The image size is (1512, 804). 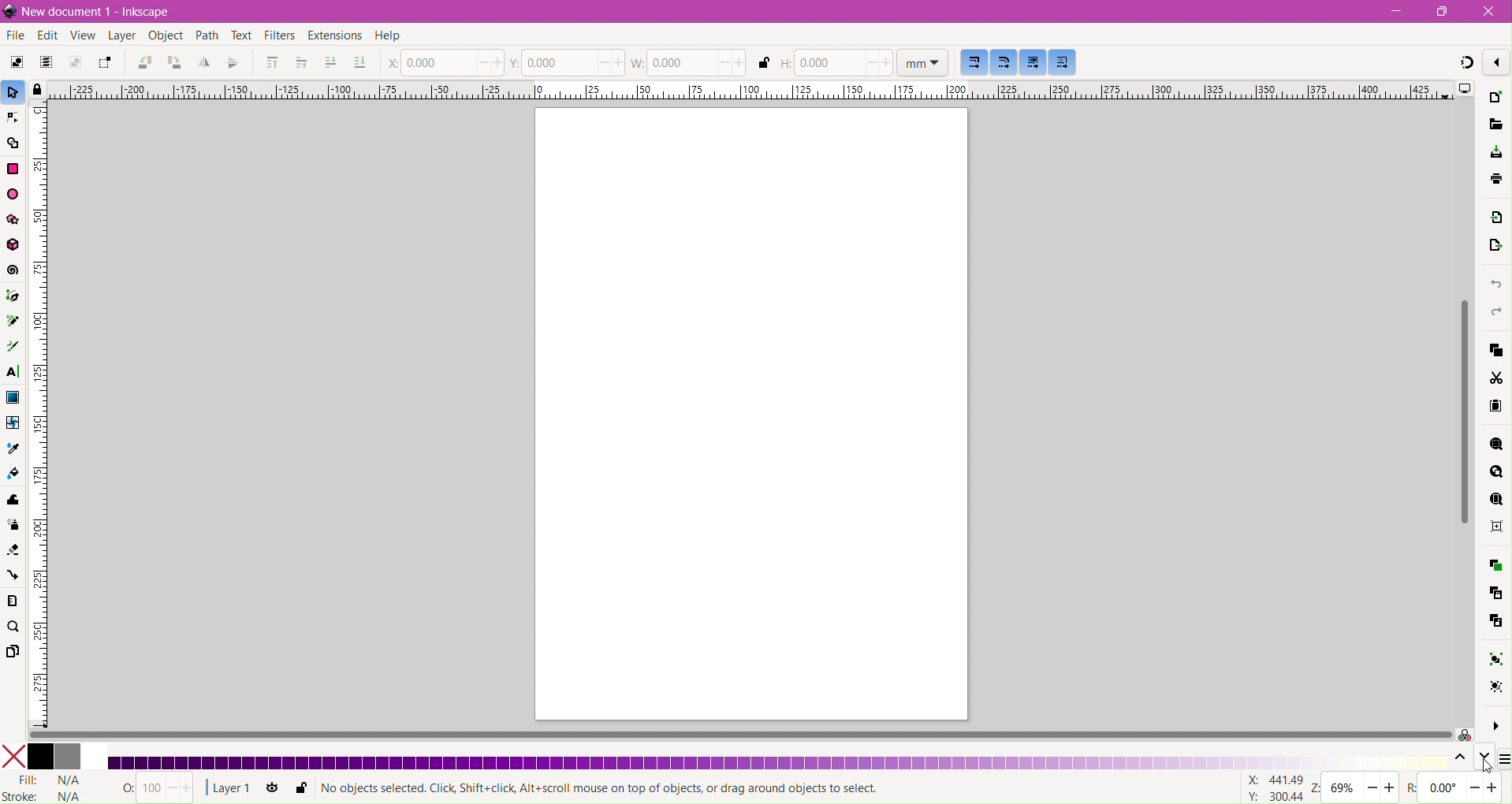 I want to click on Display Options, so click(x=1465, y=90).